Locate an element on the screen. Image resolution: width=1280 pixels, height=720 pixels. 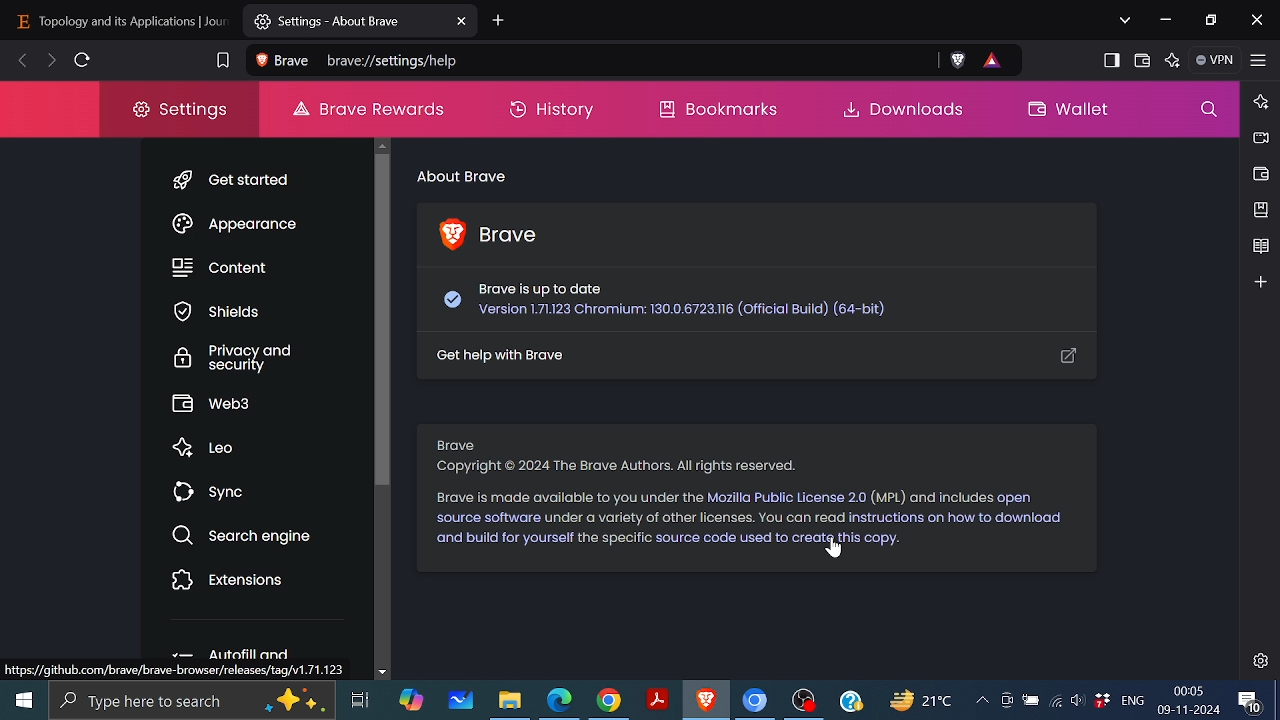
Go back to previpous page is located at coordinates (23, 61).